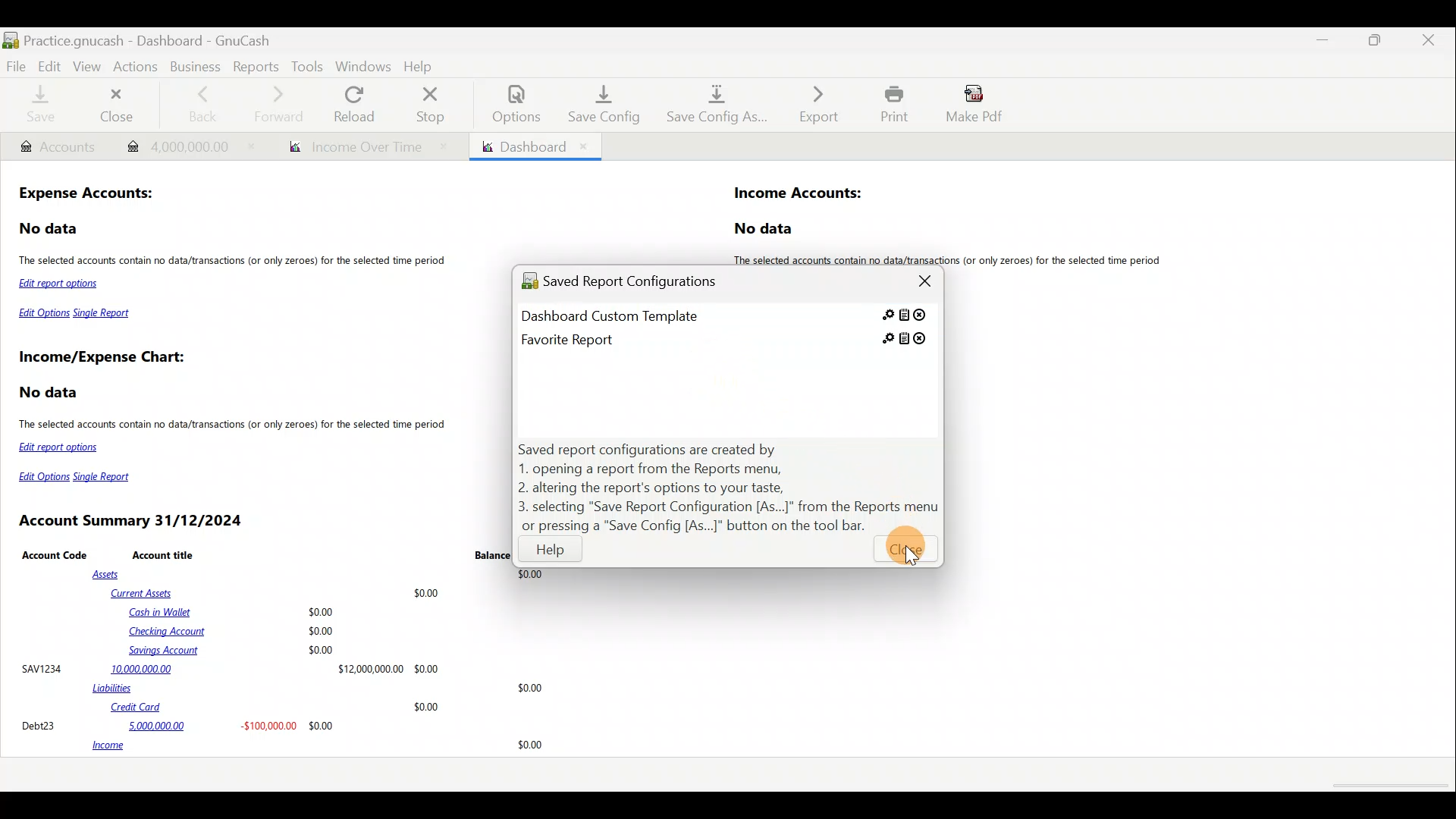 The image size is (1456, 819). Describe the element at coordinates (904, 553) in the screenshot. I see `Close` at that location.